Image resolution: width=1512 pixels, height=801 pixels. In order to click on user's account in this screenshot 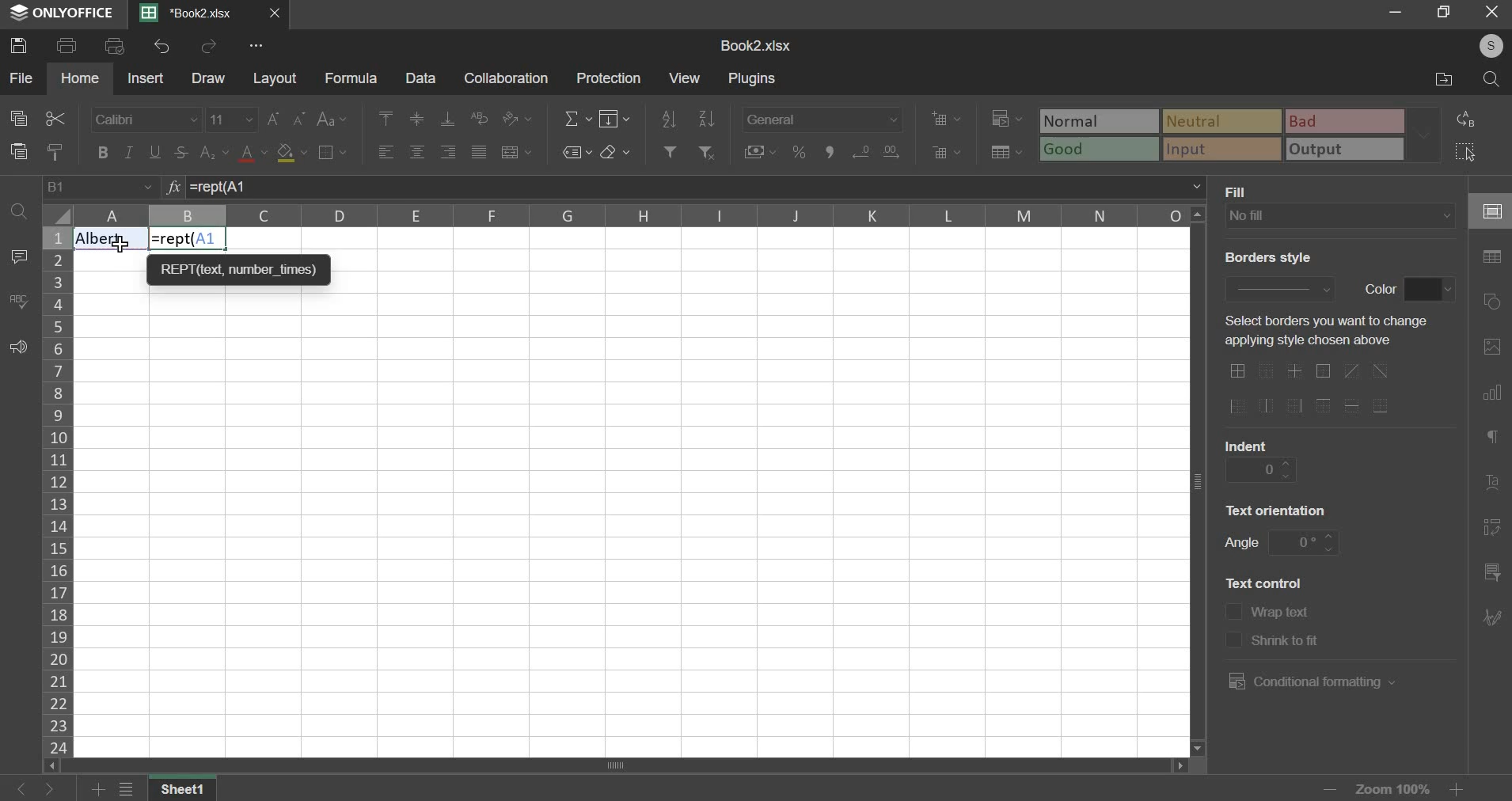, I will do `click(1488, 44)`.